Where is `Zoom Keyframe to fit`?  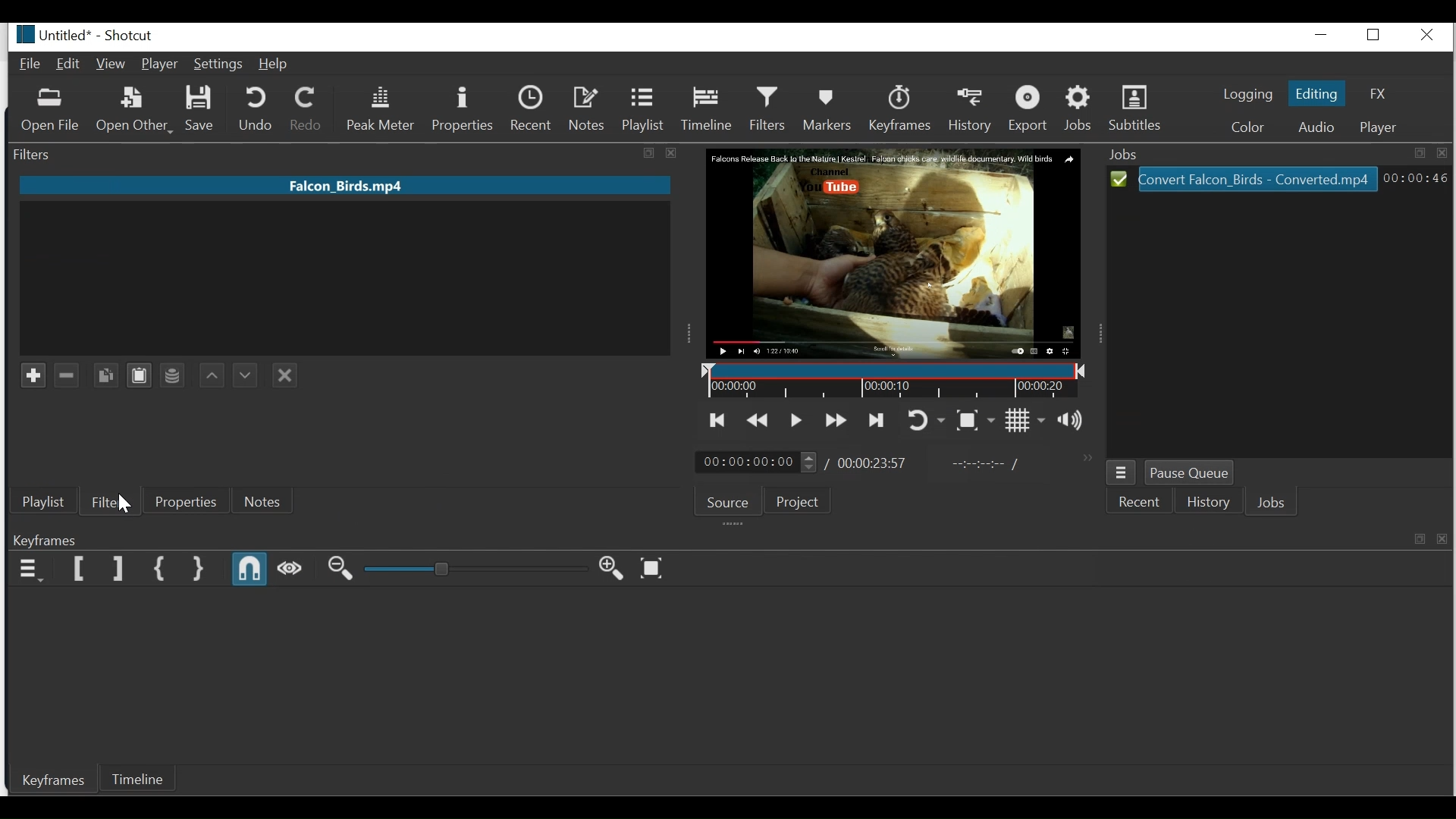
Zoom Keyframe to fit is located at coordinates (654, 567).